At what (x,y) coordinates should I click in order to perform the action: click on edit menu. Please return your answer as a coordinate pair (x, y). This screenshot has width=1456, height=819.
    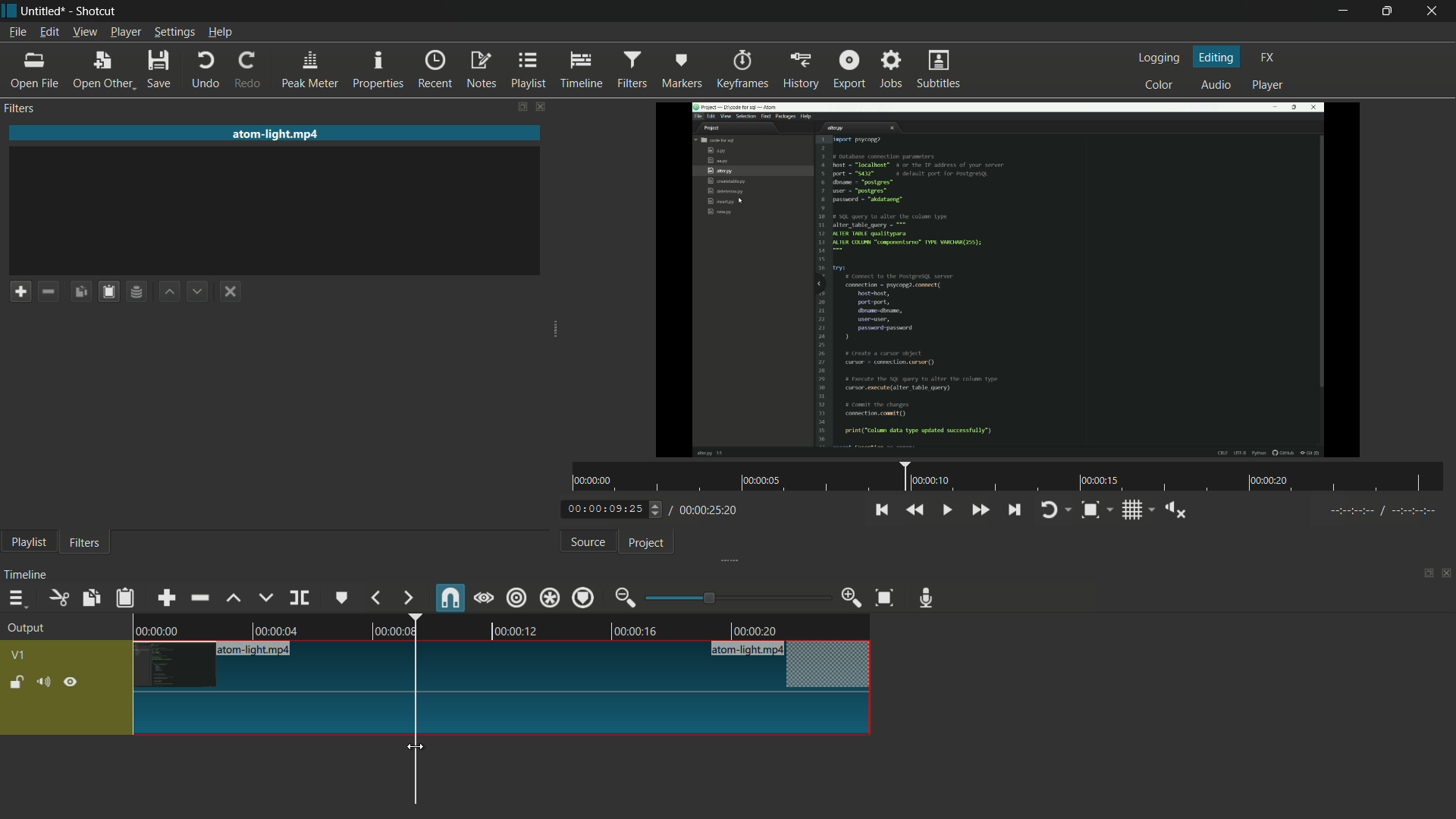
    Looking at the image, I should click on (49, 33).